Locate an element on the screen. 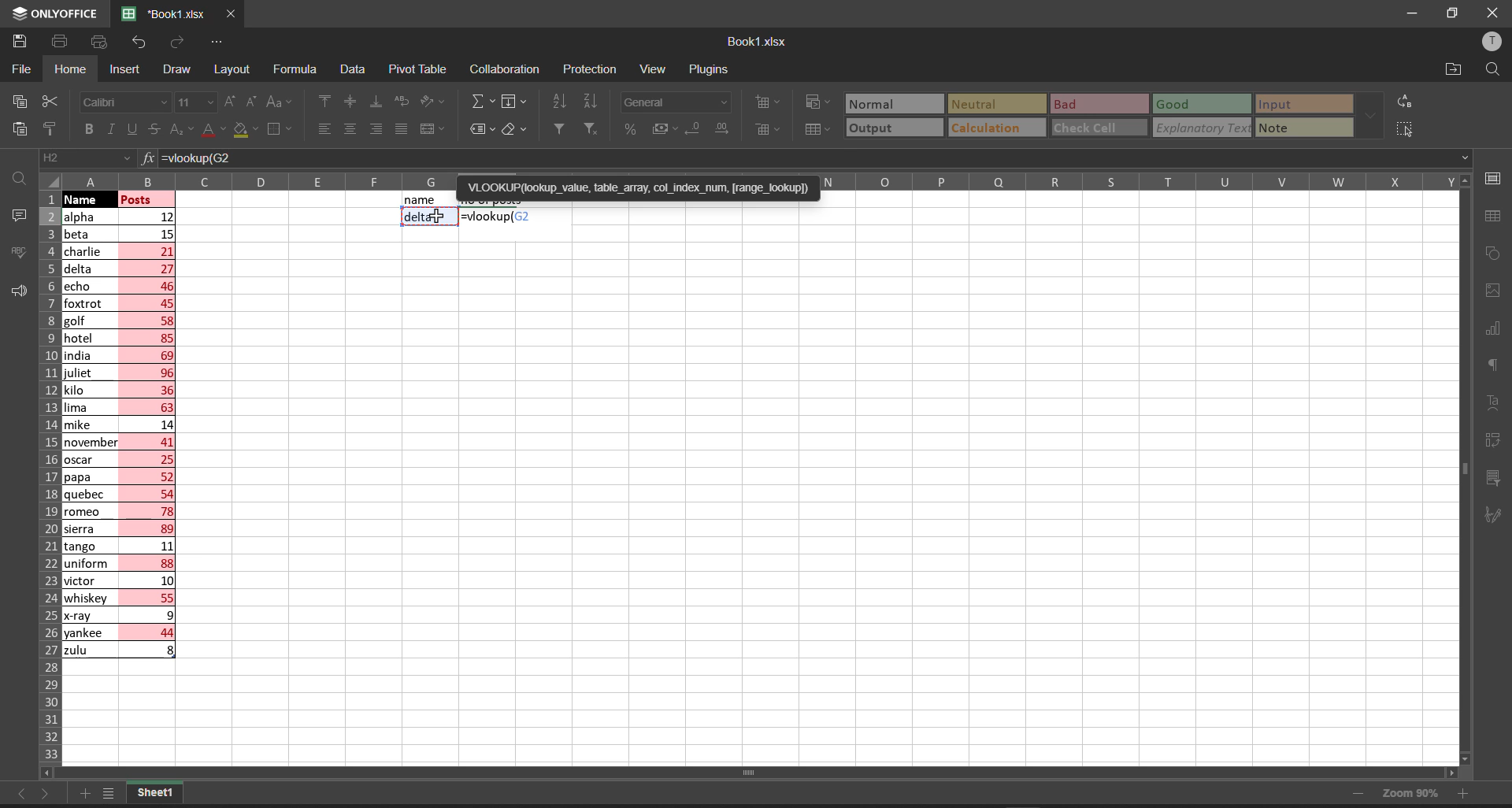 The image size is (1512, 808). book name is located at coordinates (755, 42).